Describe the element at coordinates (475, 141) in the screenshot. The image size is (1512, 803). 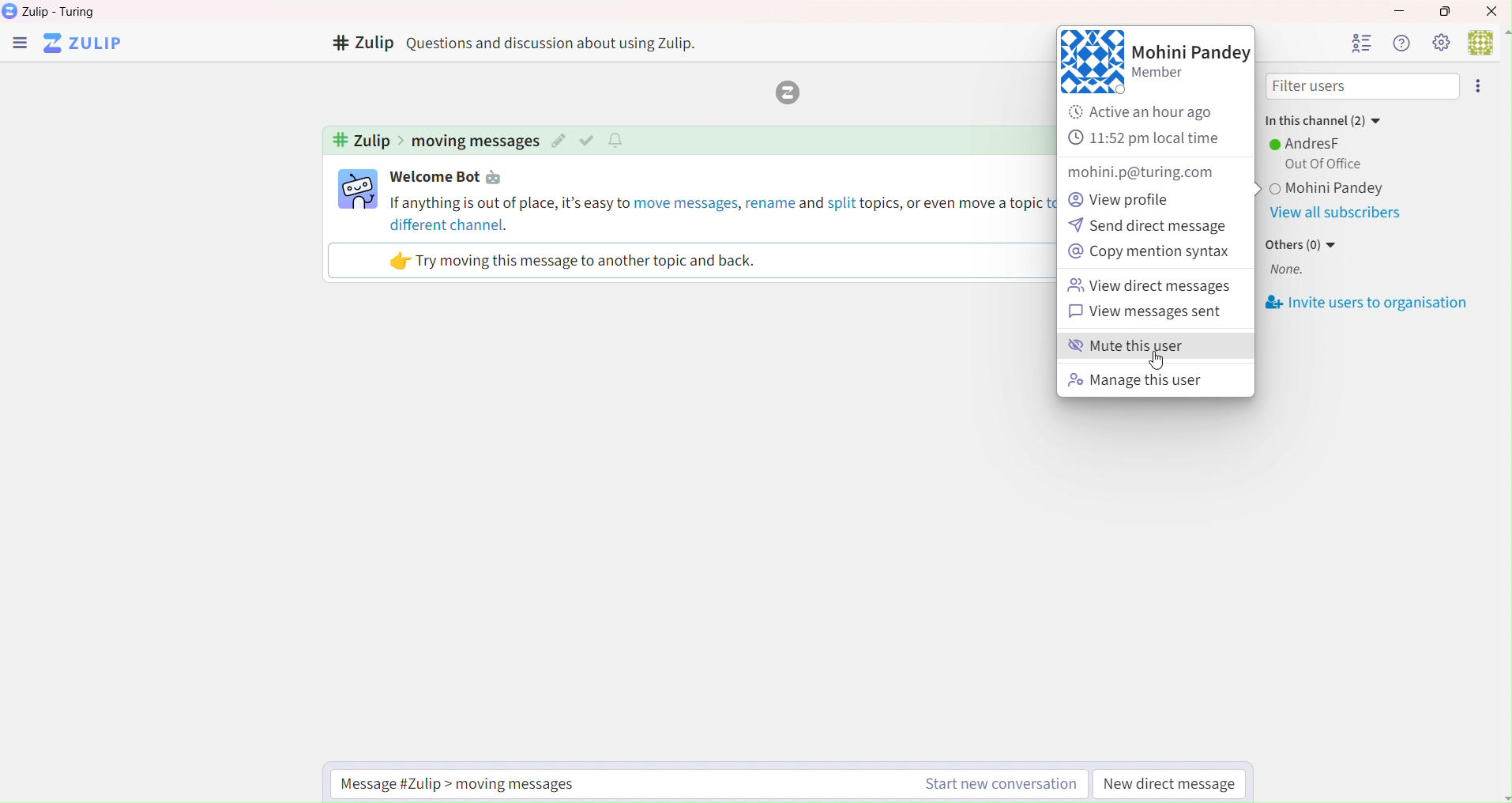
I see `moving messages` at that location.